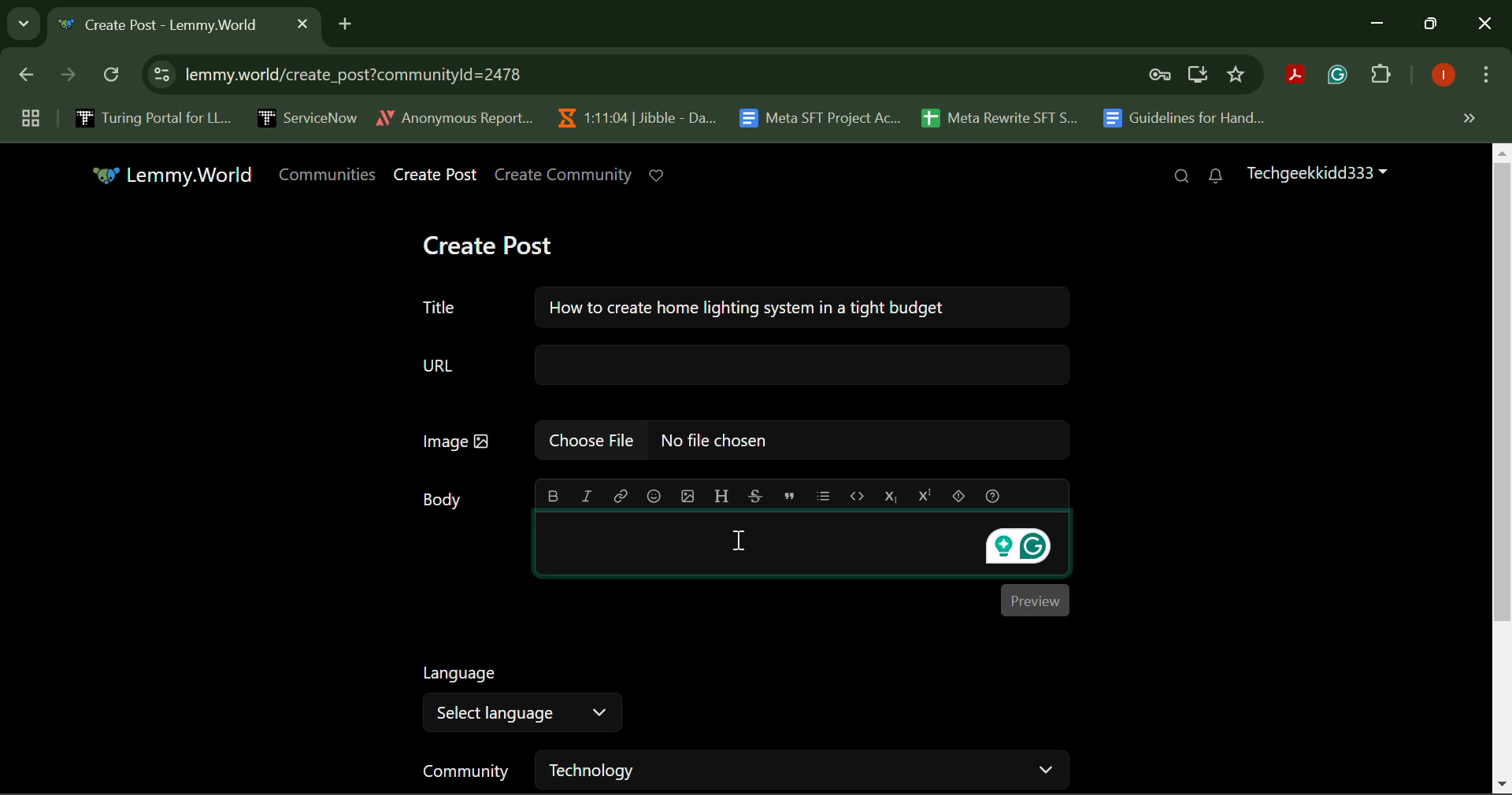 Image resolution: width=1512 pixels, height=795 pixels. Describe the element at coordinates (521, 699) in the screenshot. I see `Select Language` at that location.